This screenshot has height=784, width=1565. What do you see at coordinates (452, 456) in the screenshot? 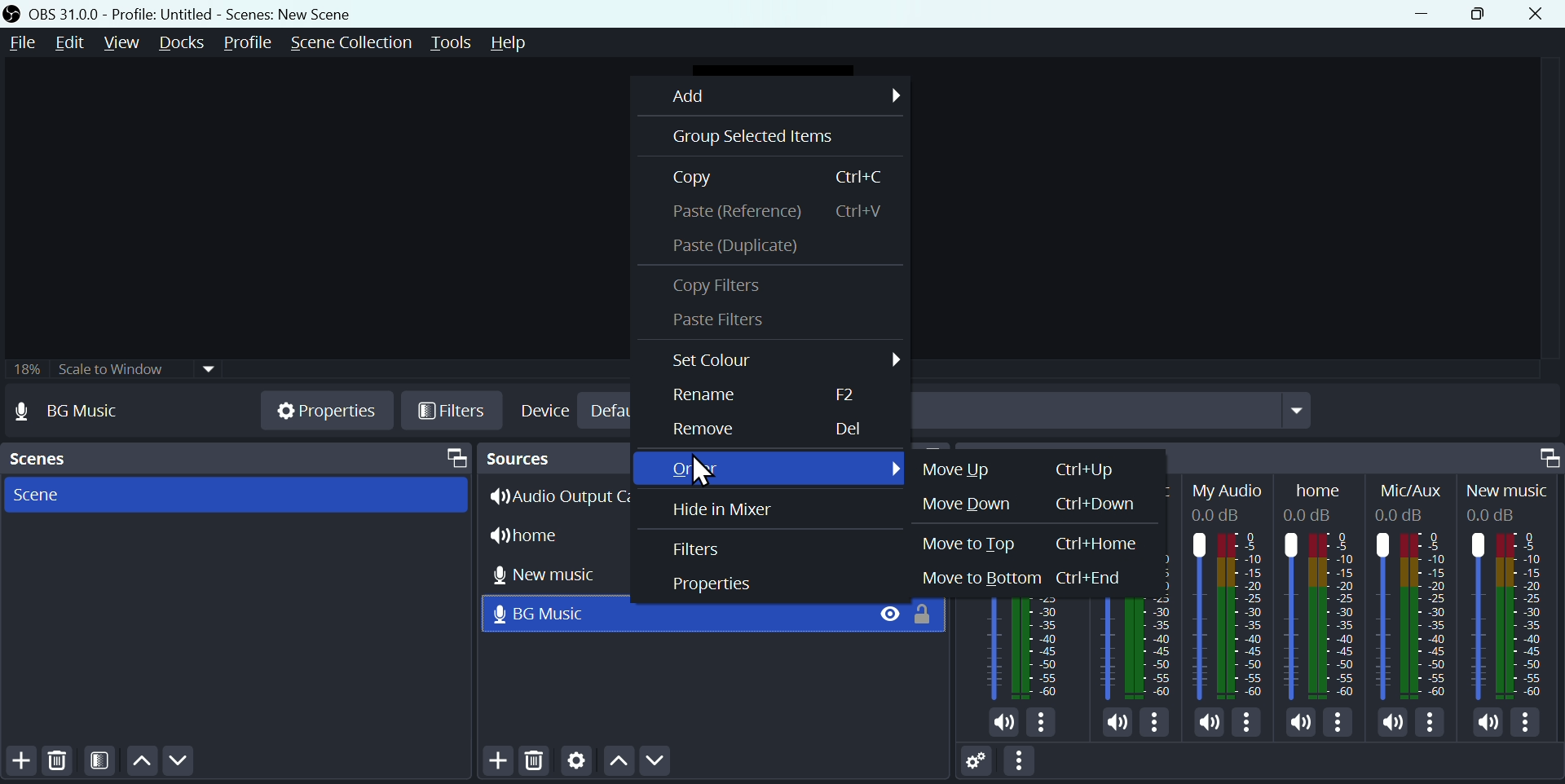
I see `maximize` at bounding box center [452, 456].